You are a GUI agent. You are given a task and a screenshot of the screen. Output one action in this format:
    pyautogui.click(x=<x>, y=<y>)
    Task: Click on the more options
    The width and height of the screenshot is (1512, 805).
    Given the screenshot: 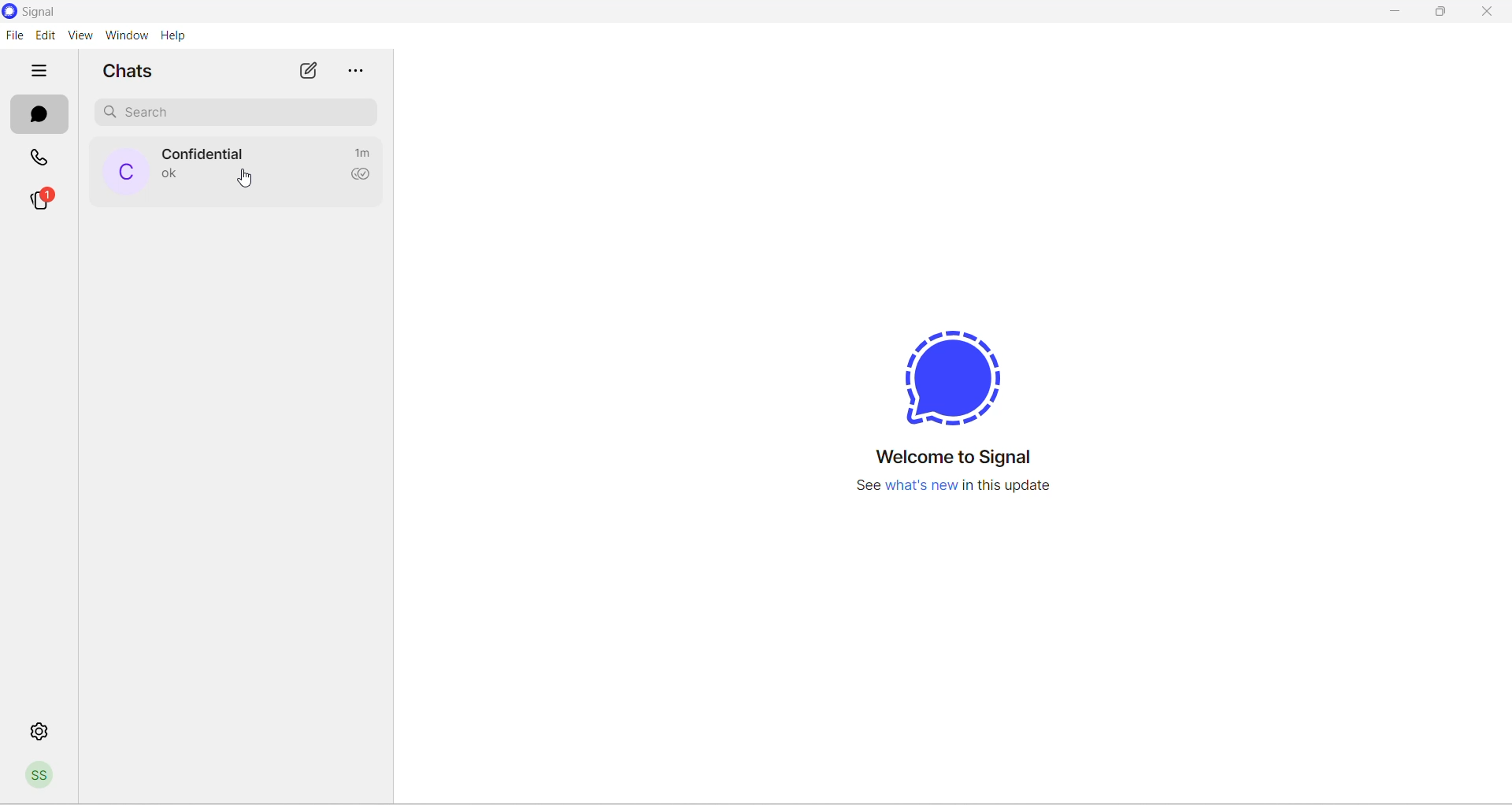 What is the action you would take?
    pyautogui.click(x=358, y=72)
    